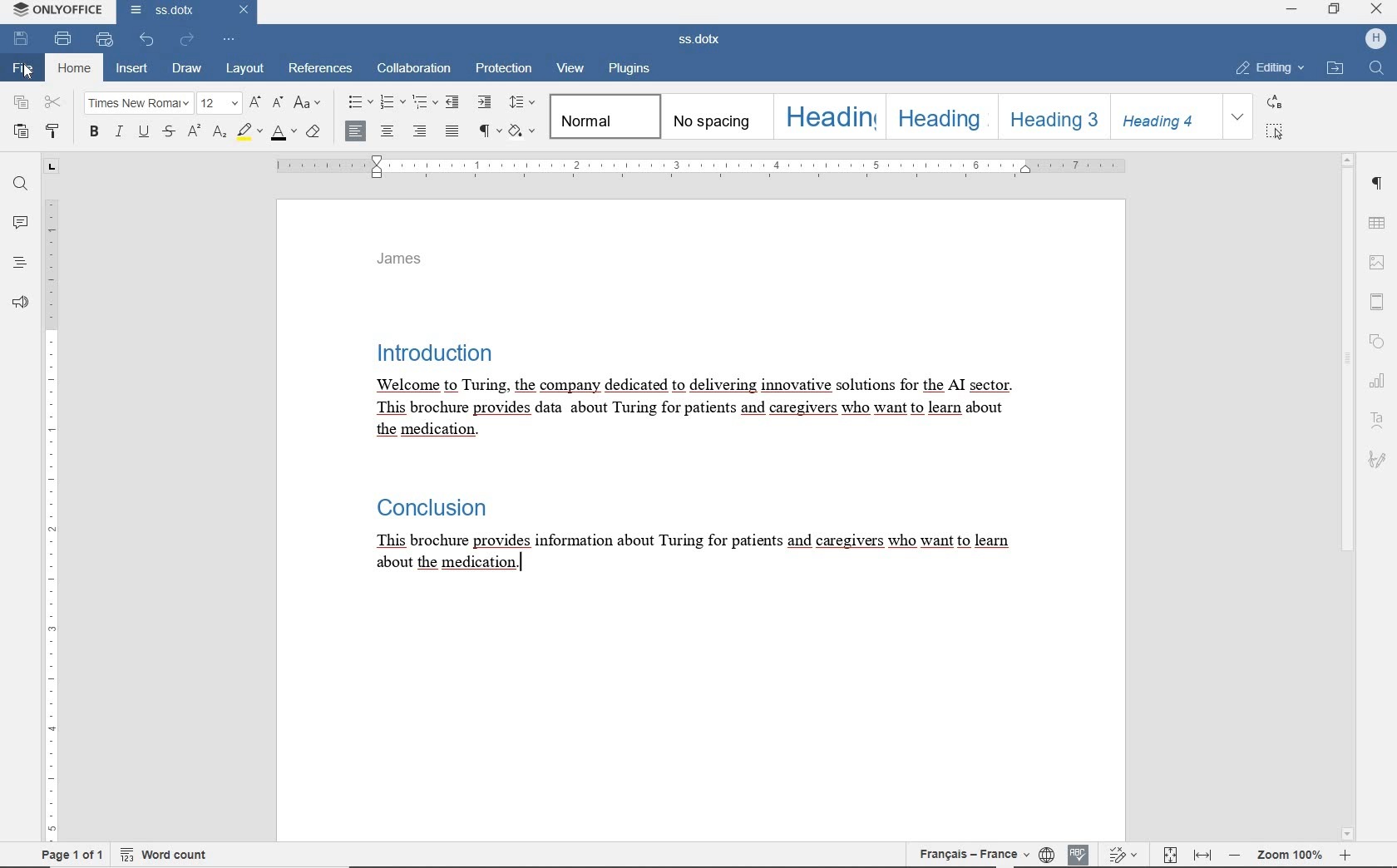  What do you see at coordinates (21, 184) in the screenshot?
I see `FIND` at bounding box center [21, 184].